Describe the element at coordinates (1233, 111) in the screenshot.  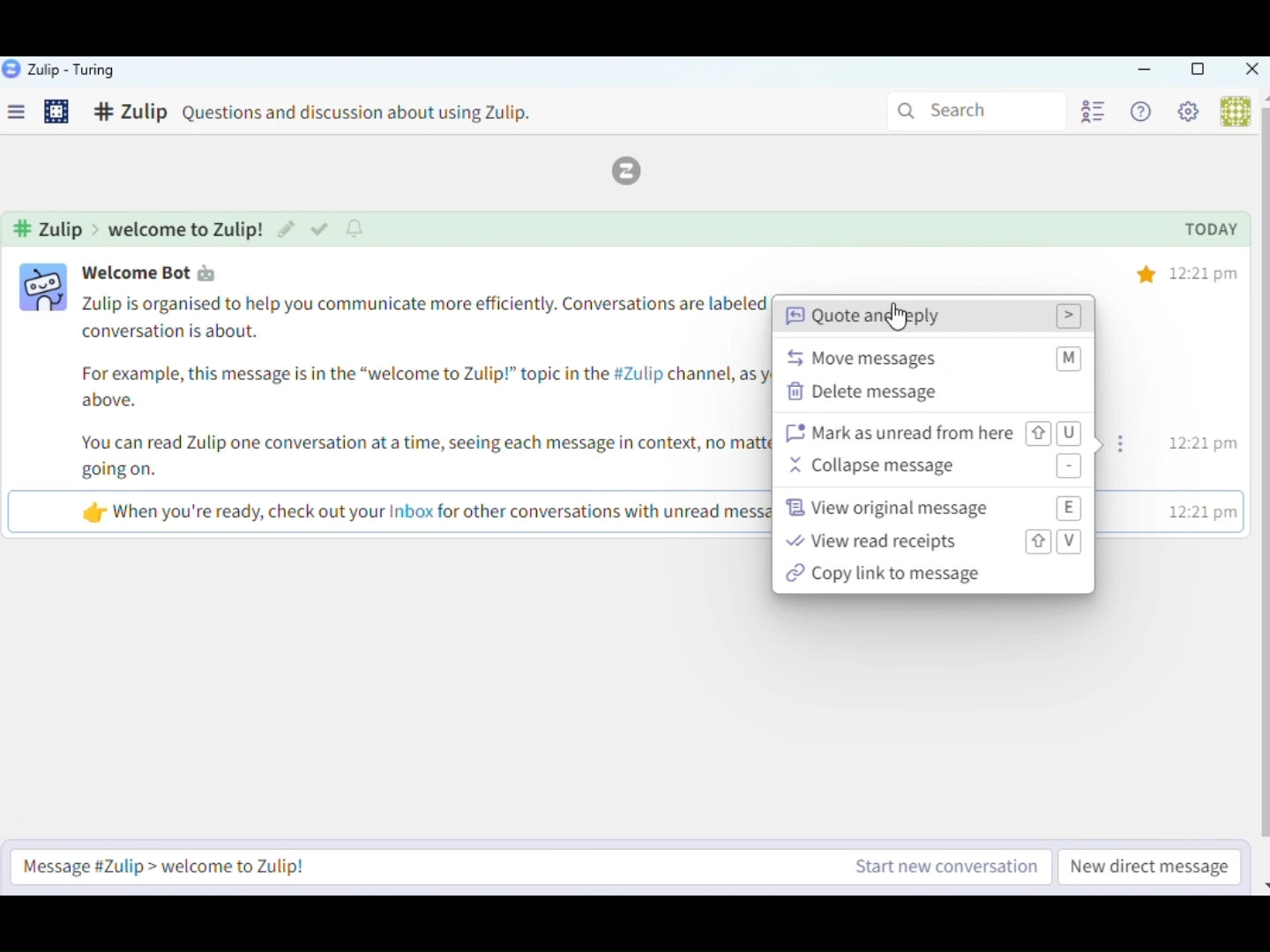
I see `User` at that location.